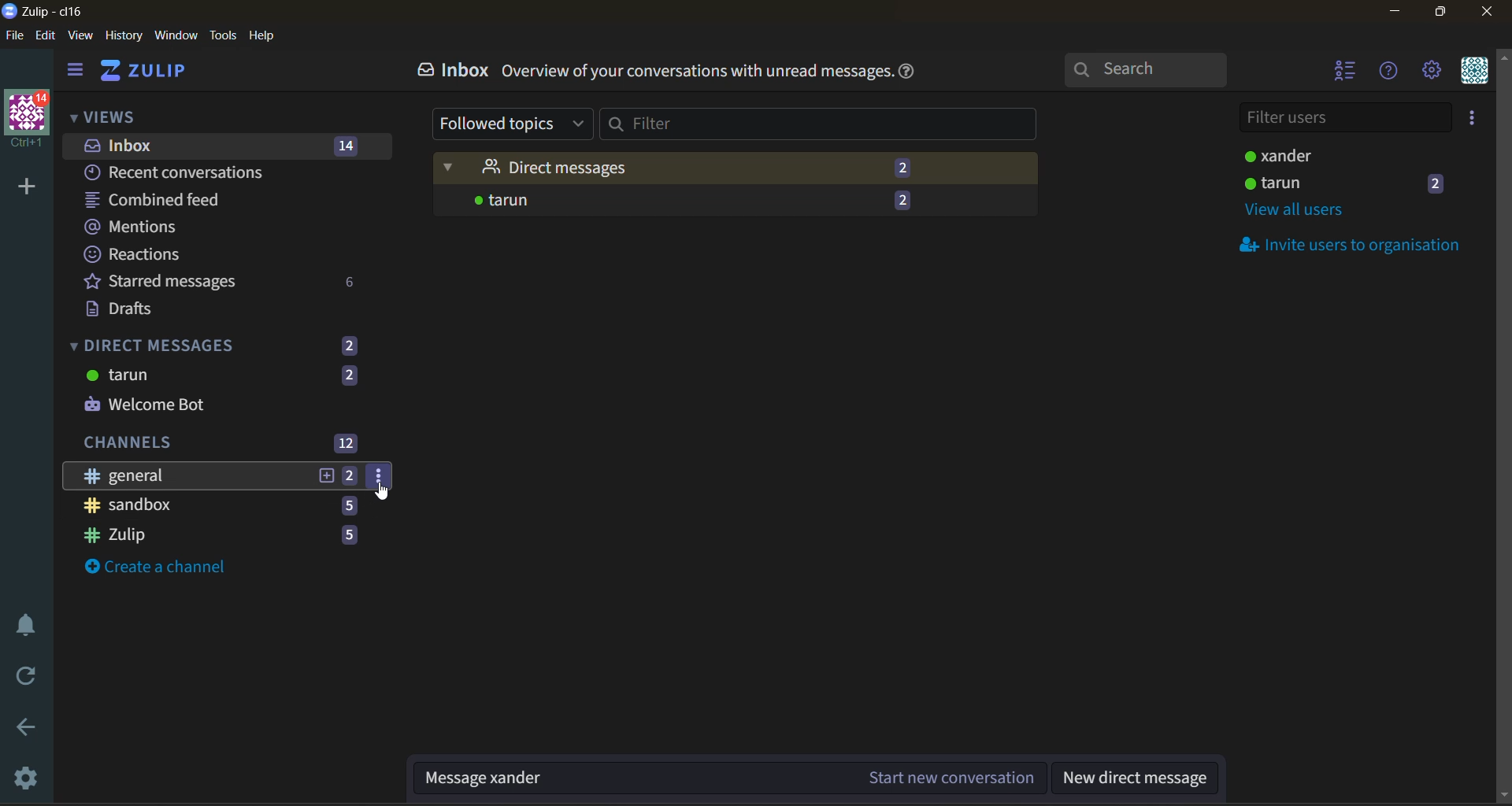 This screenshot has height=806, width=1512. What do you see at coordinates (1392, 70) in the screenshot?
I see `help menu` at bounding box center [1392, 70].